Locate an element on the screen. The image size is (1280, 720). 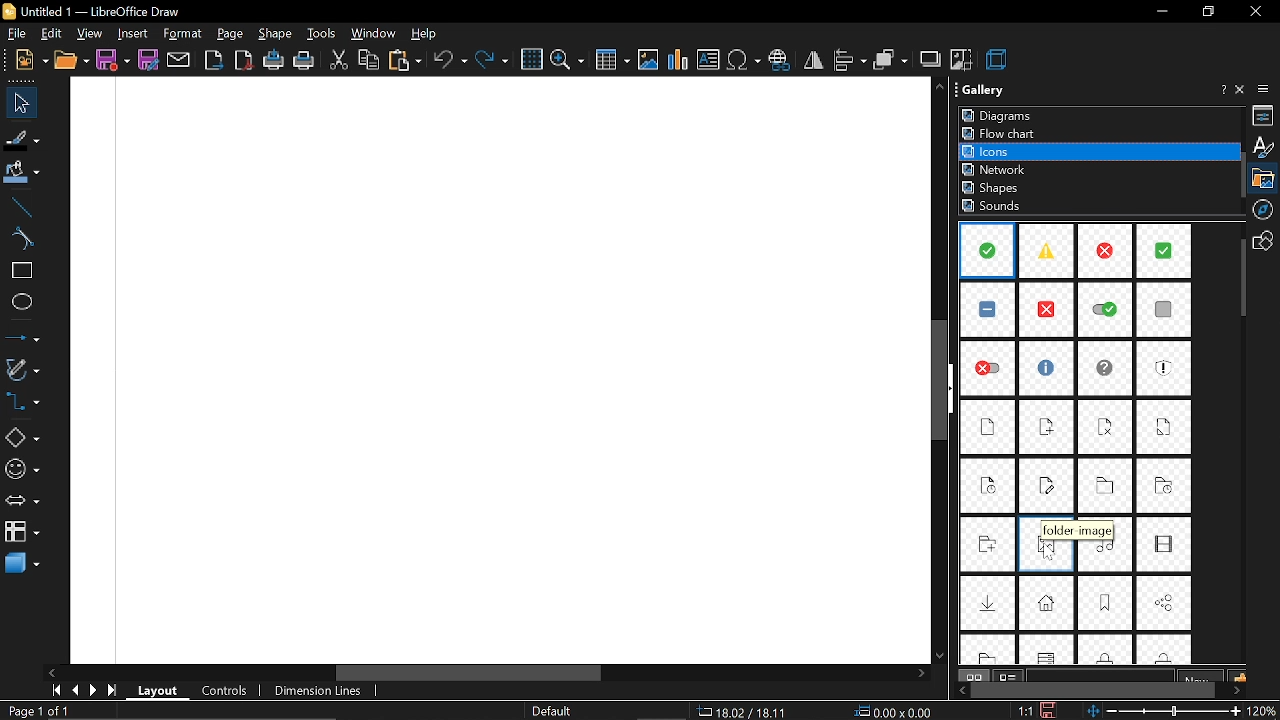
20% is located at coordinates (1264, 711).